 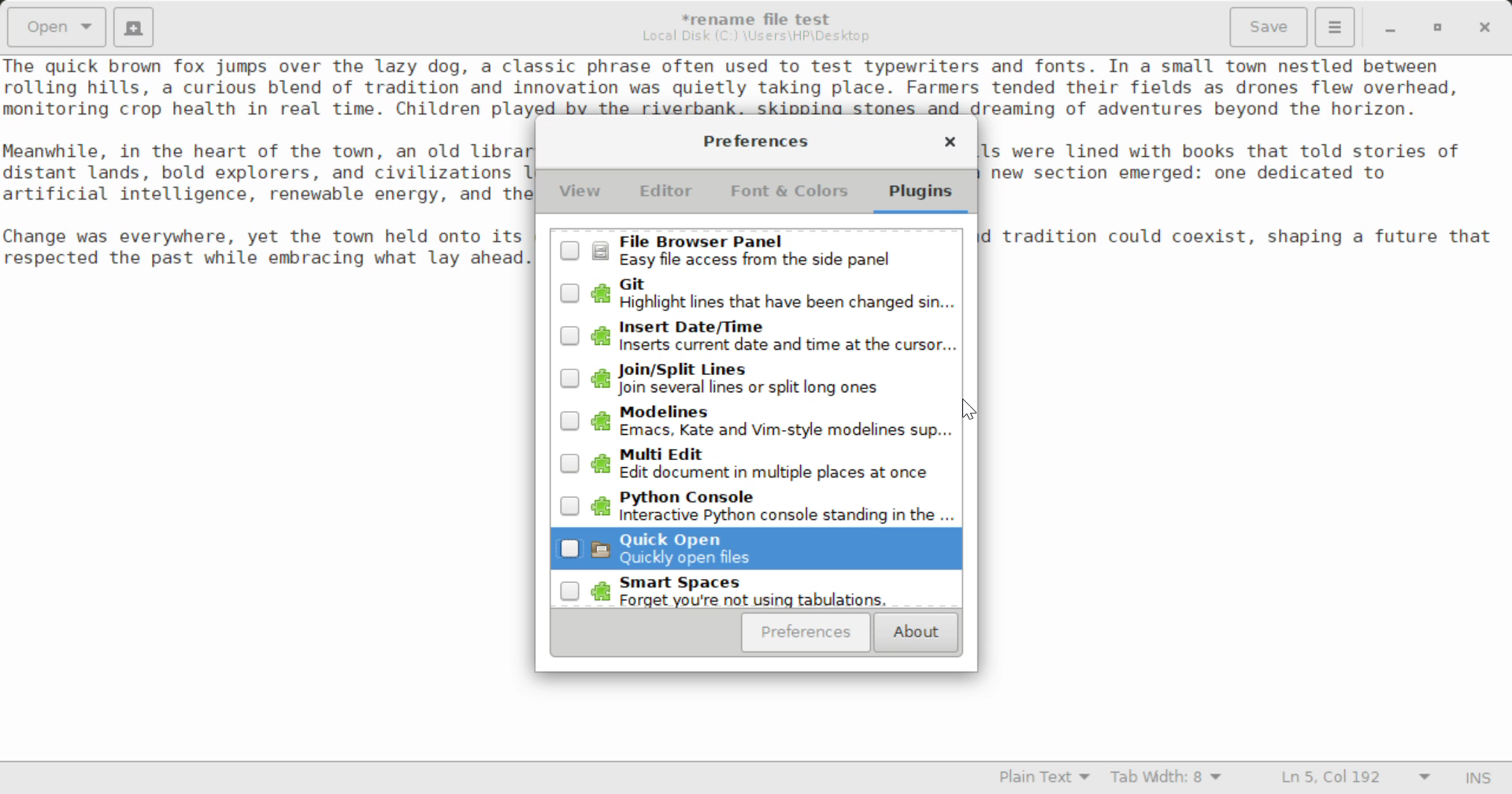 I want to click on Font & Colors Tab, so click(x=789, y=197).